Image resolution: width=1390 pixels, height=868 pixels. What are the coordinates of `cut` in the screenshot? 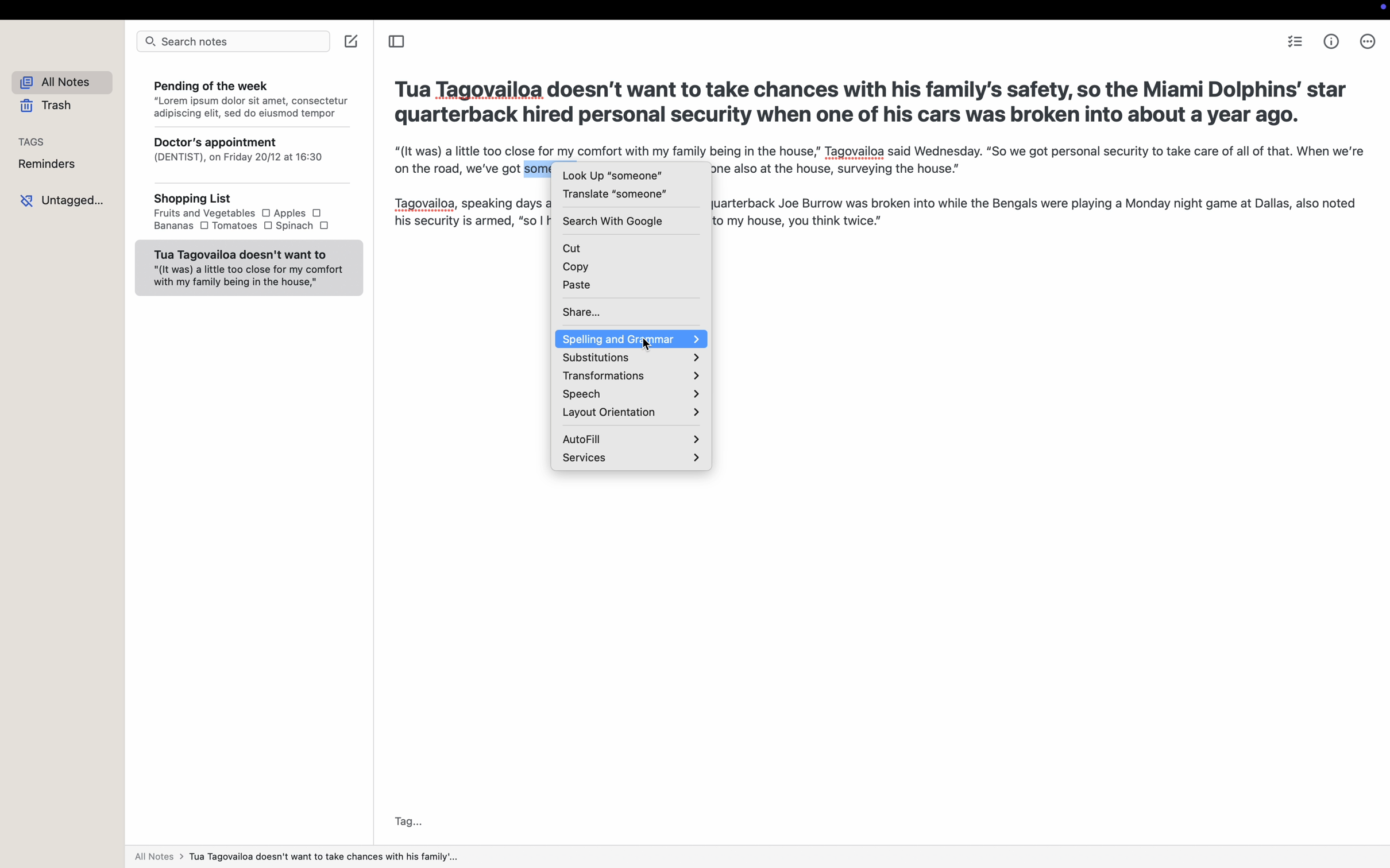 It's located at (631, 246).